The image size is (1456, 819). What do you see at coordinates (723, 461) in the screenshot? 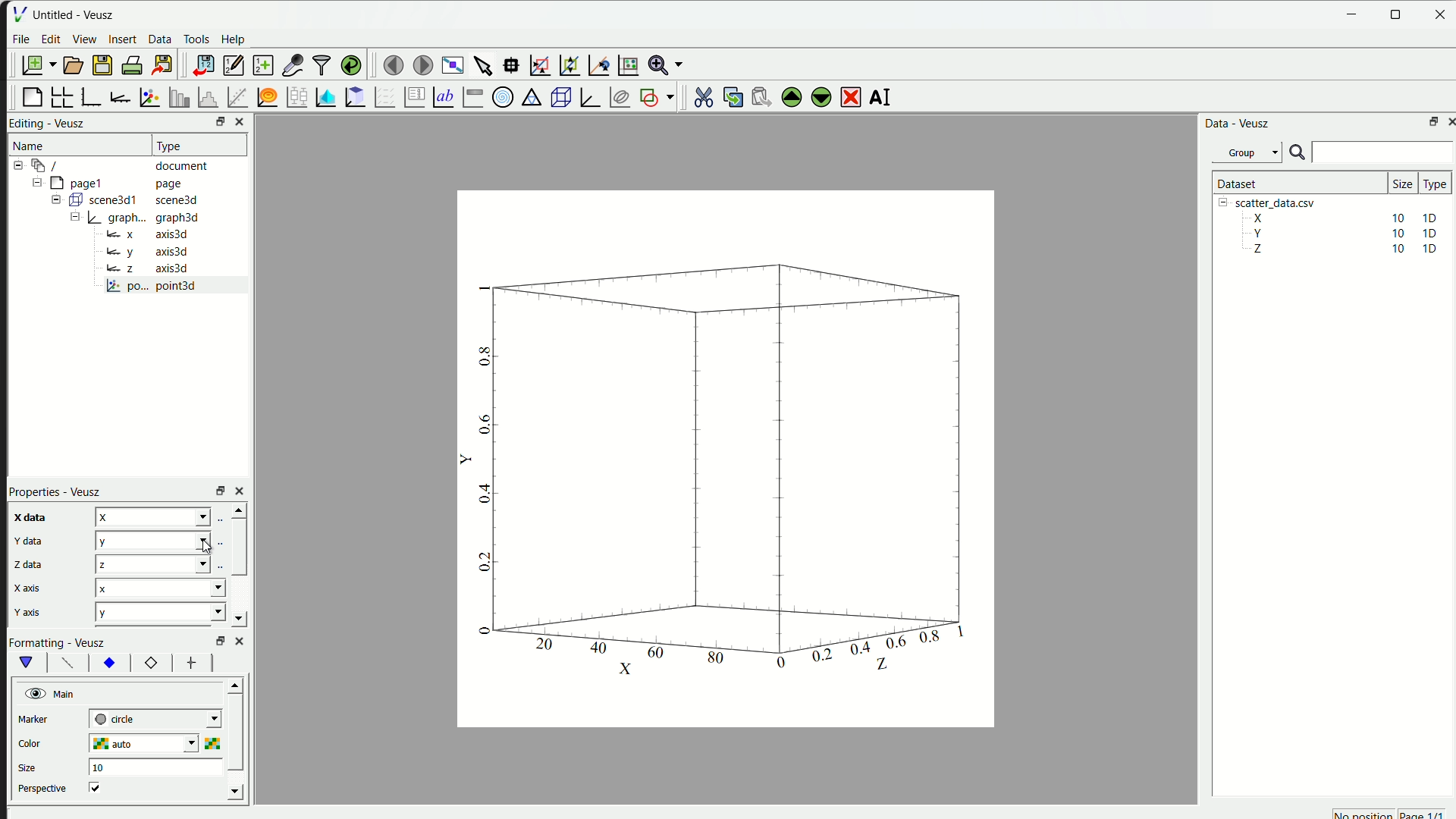
I see `canvas` at bounding box center [723, 461].